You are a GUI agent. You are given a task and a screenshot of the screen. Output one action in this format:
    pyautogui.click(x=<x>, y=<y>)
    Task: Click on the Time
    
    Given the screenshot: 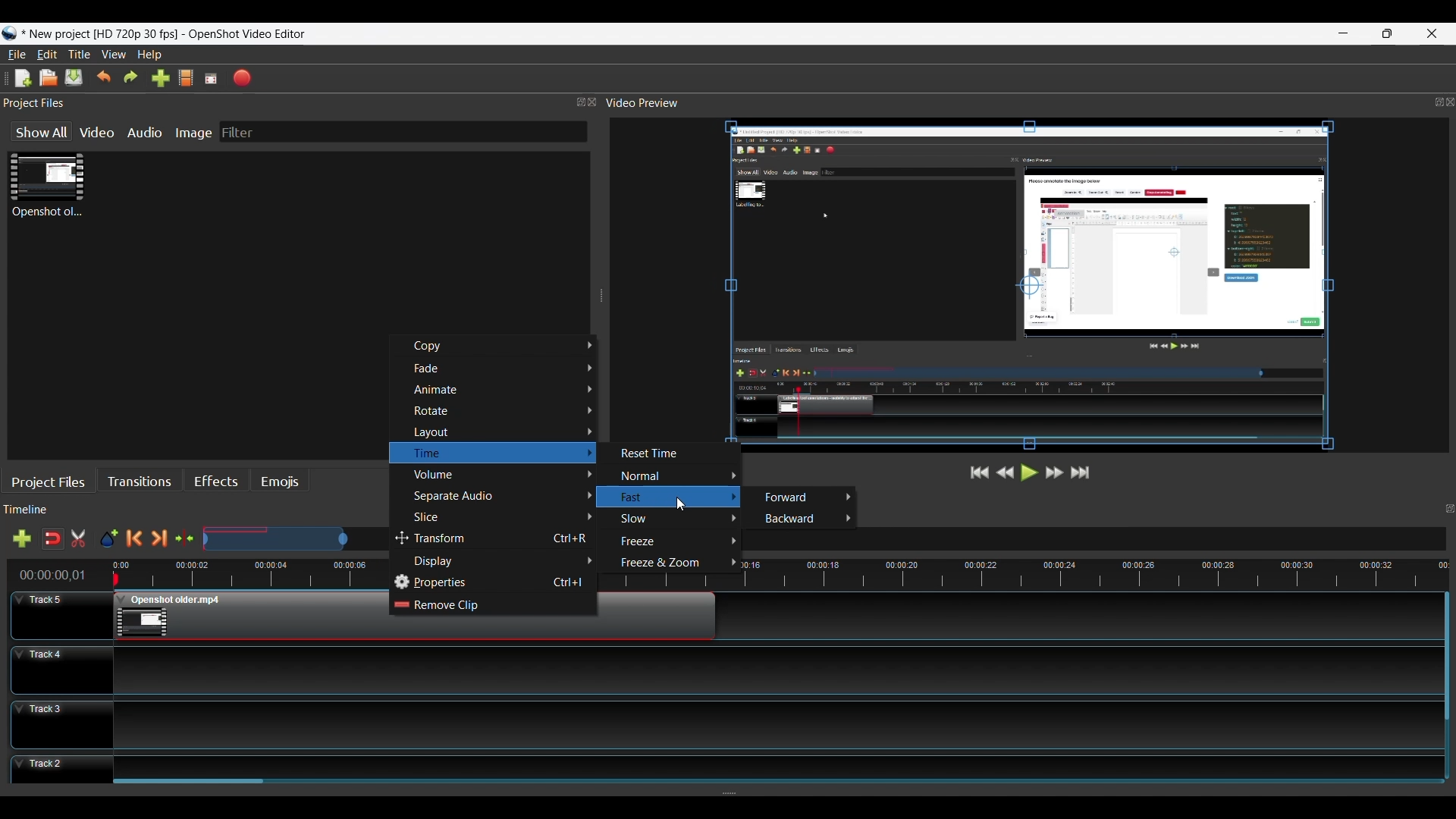 What is the action you would take?
    pyautogui.click(x=491, y=453)
    